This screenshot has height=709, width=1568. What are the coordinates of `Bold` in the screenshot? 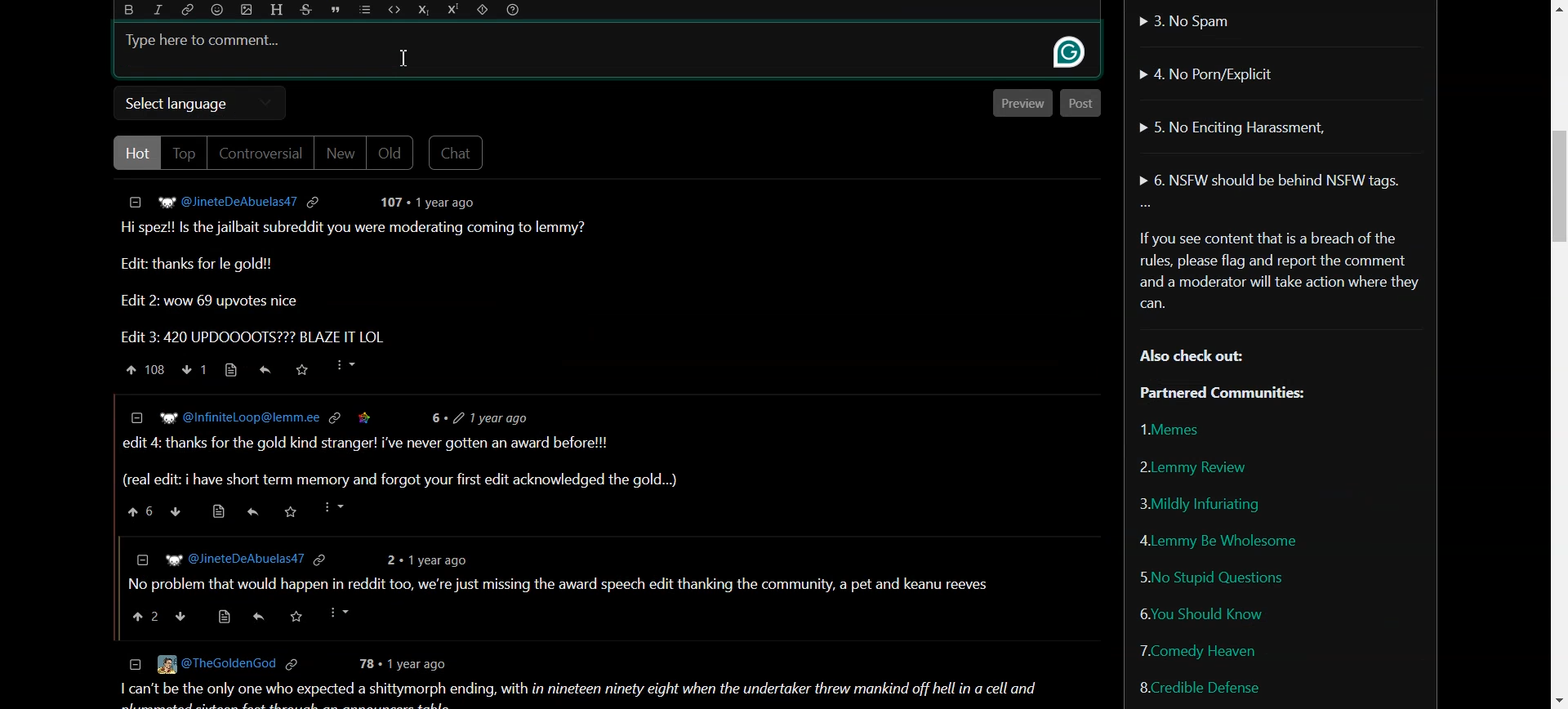 It's located at (129, 11).